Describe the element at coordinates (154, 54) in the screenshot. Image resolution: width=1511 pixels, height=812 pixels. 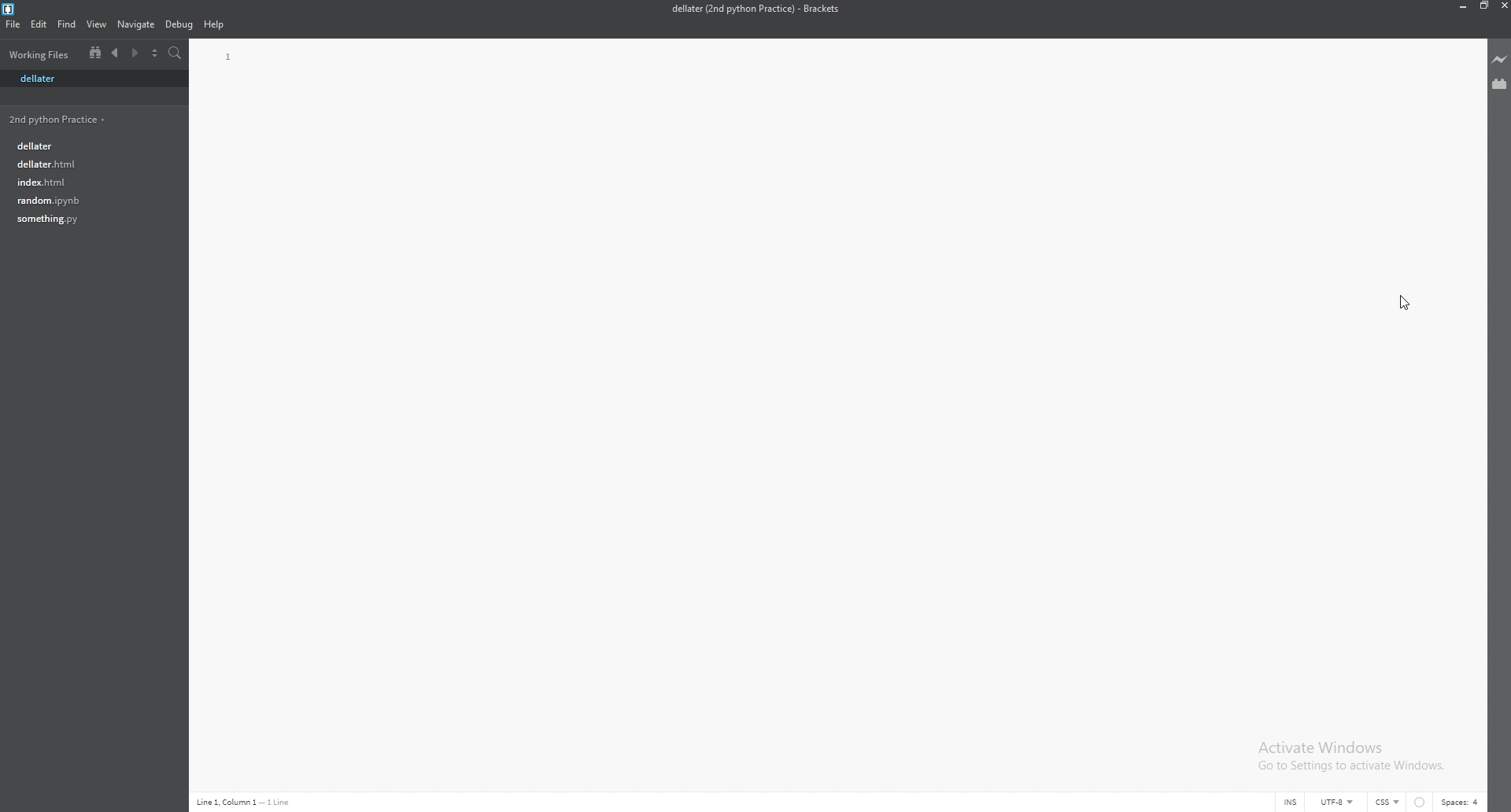
I see `split view` at that location.